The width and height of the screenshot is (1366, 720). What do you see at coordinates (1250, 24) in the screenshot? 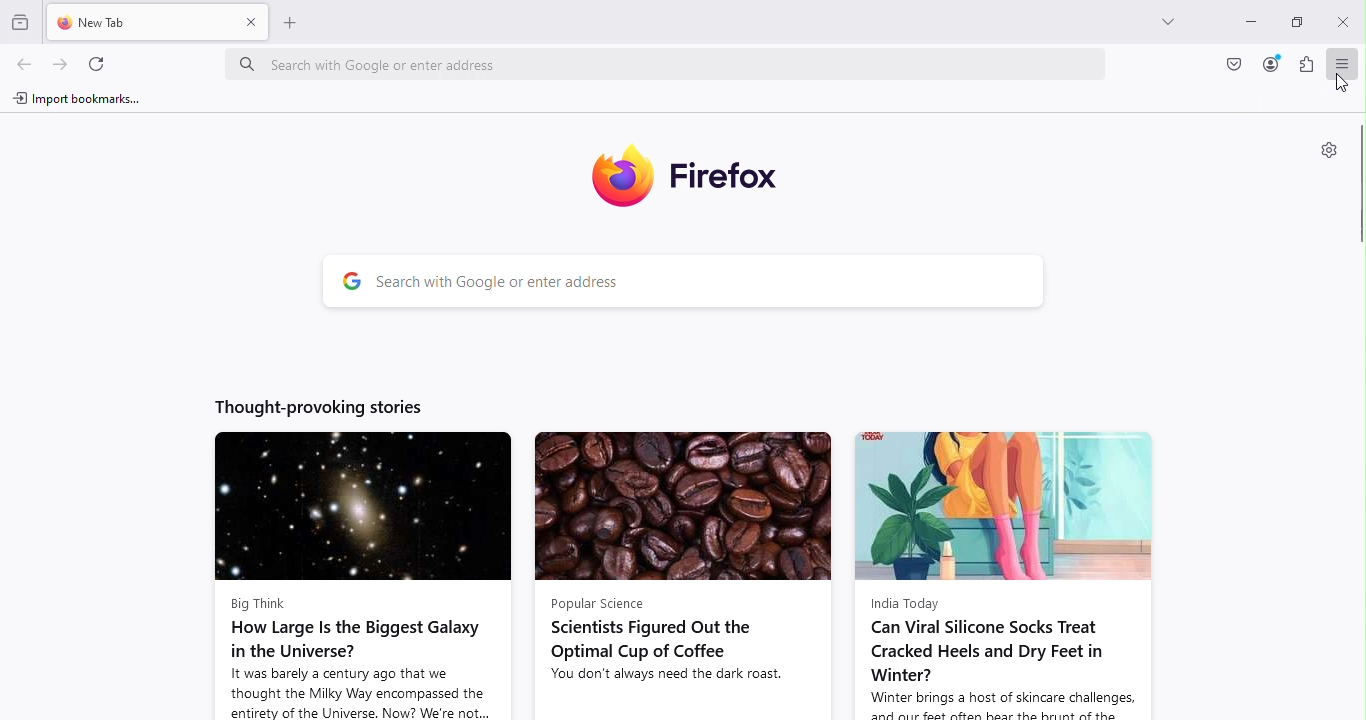
I see `Minimize tab` at bounding box center [1250, 24].